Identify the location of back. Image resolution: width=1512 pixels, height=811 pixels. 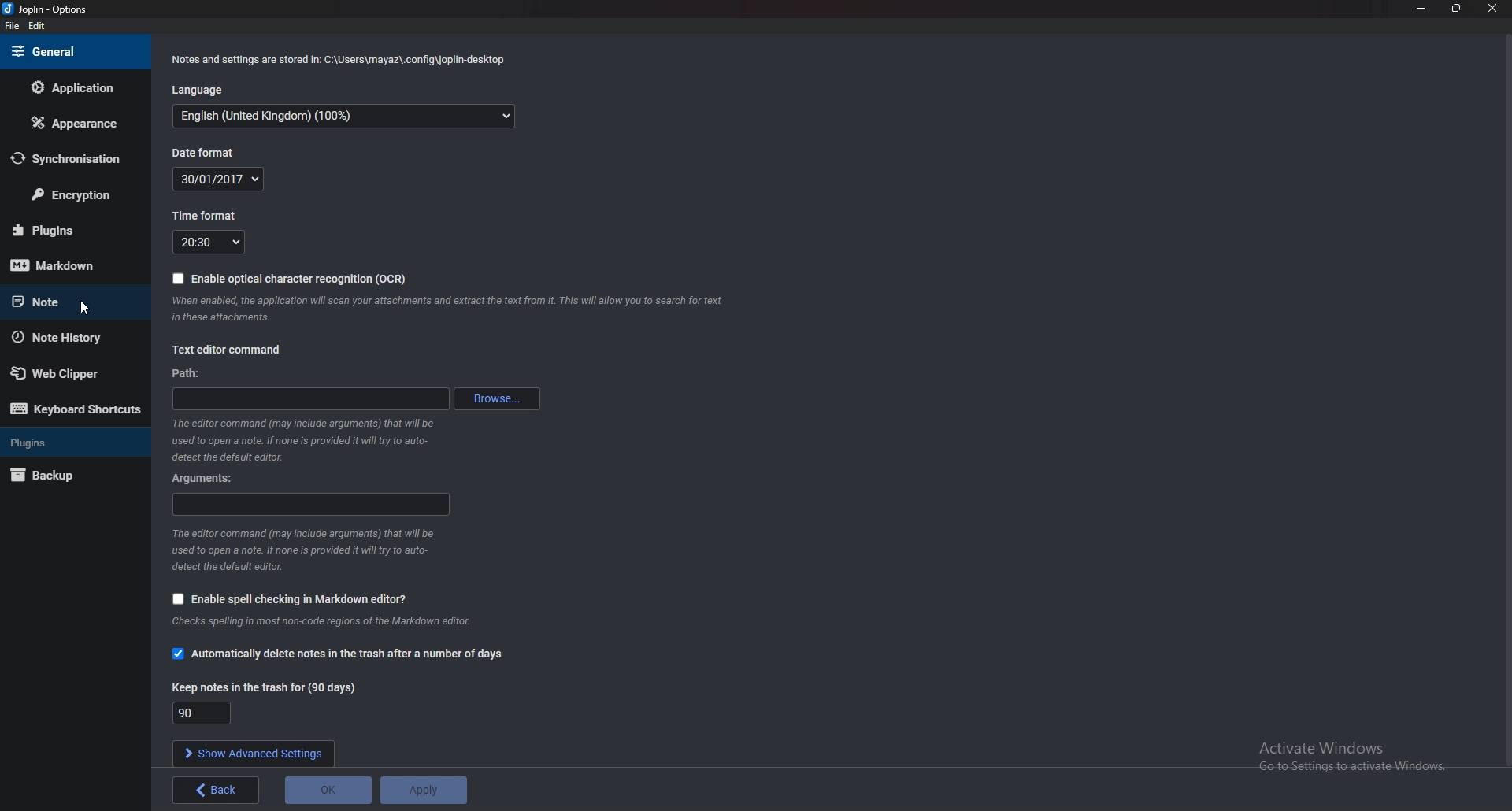
(218, 791).